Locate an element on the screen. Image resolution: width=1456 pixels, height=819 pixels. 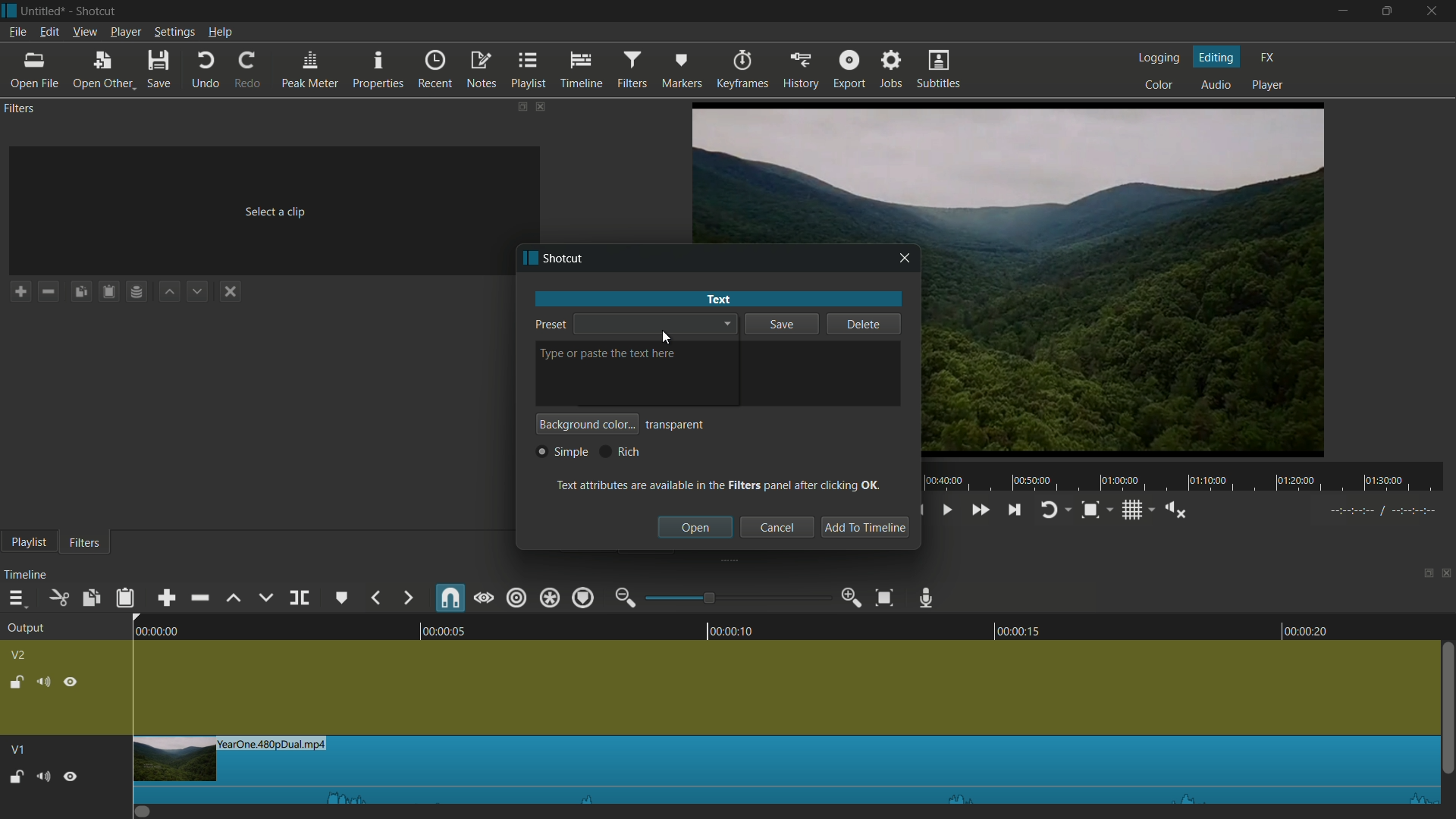
deselect the filter is located at coordinates (231, 291).